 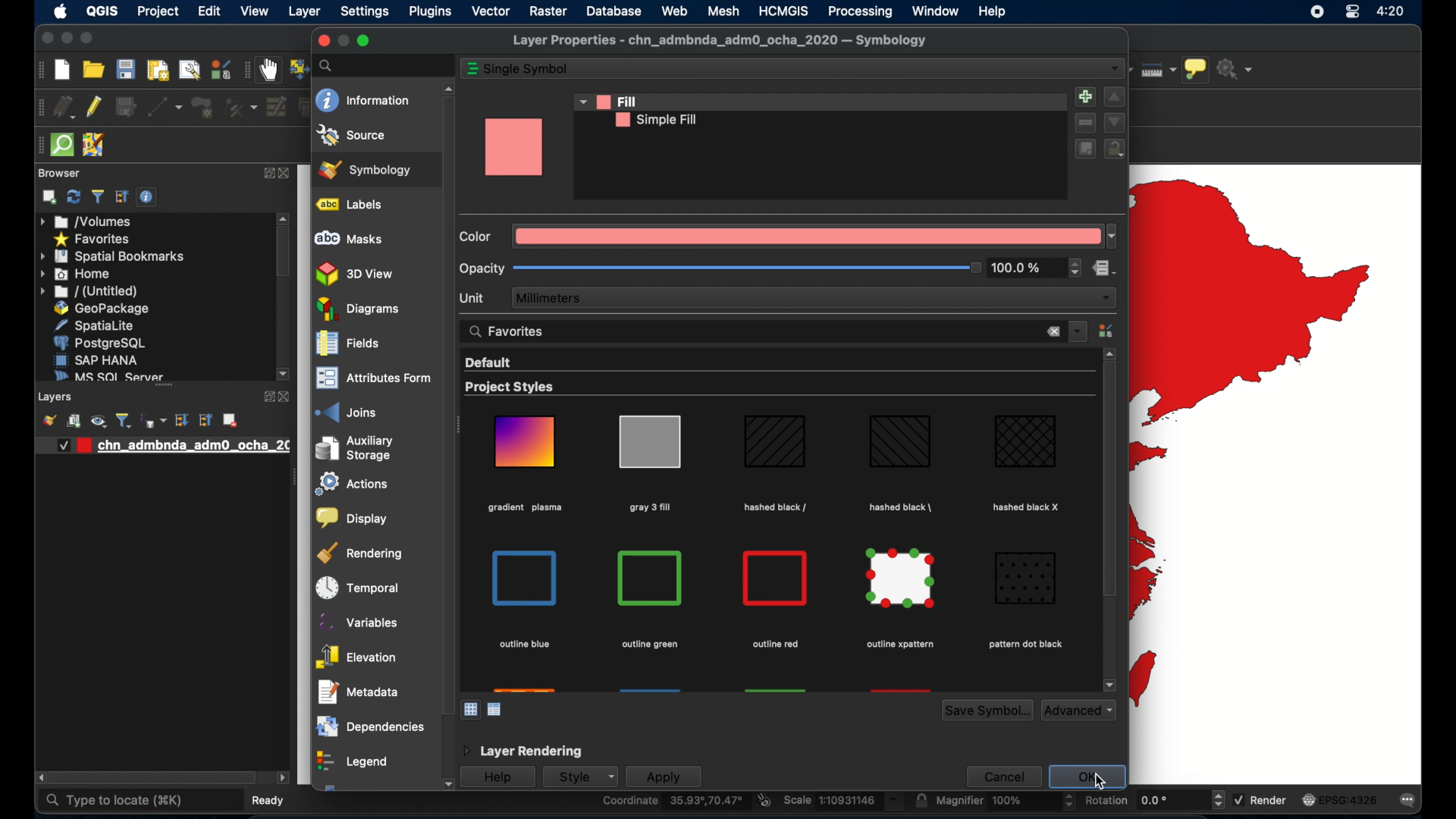 I want to click on symbology, so click(x=365, y=169).